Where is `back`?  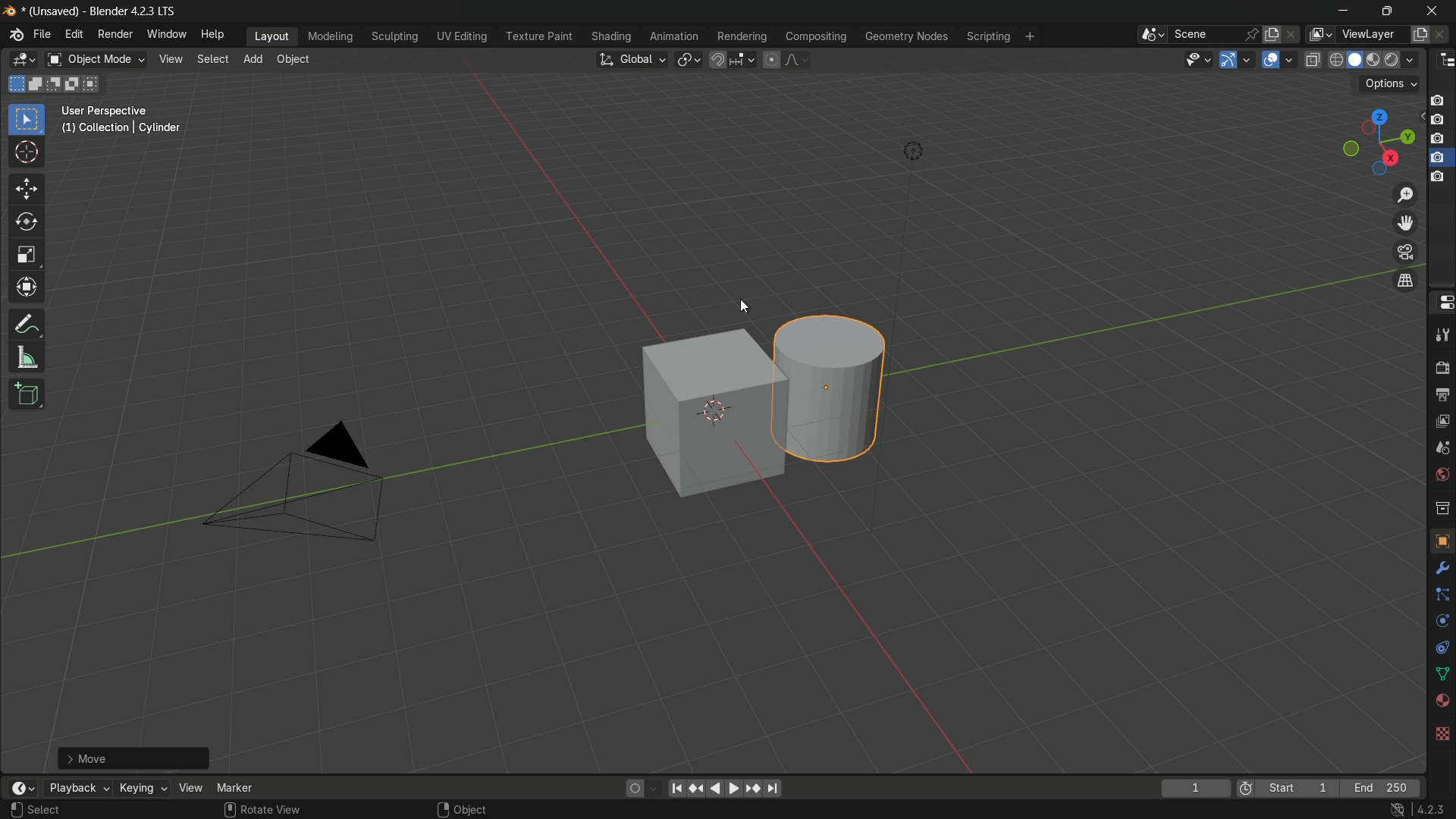
back is located at coordinates (714, 789).